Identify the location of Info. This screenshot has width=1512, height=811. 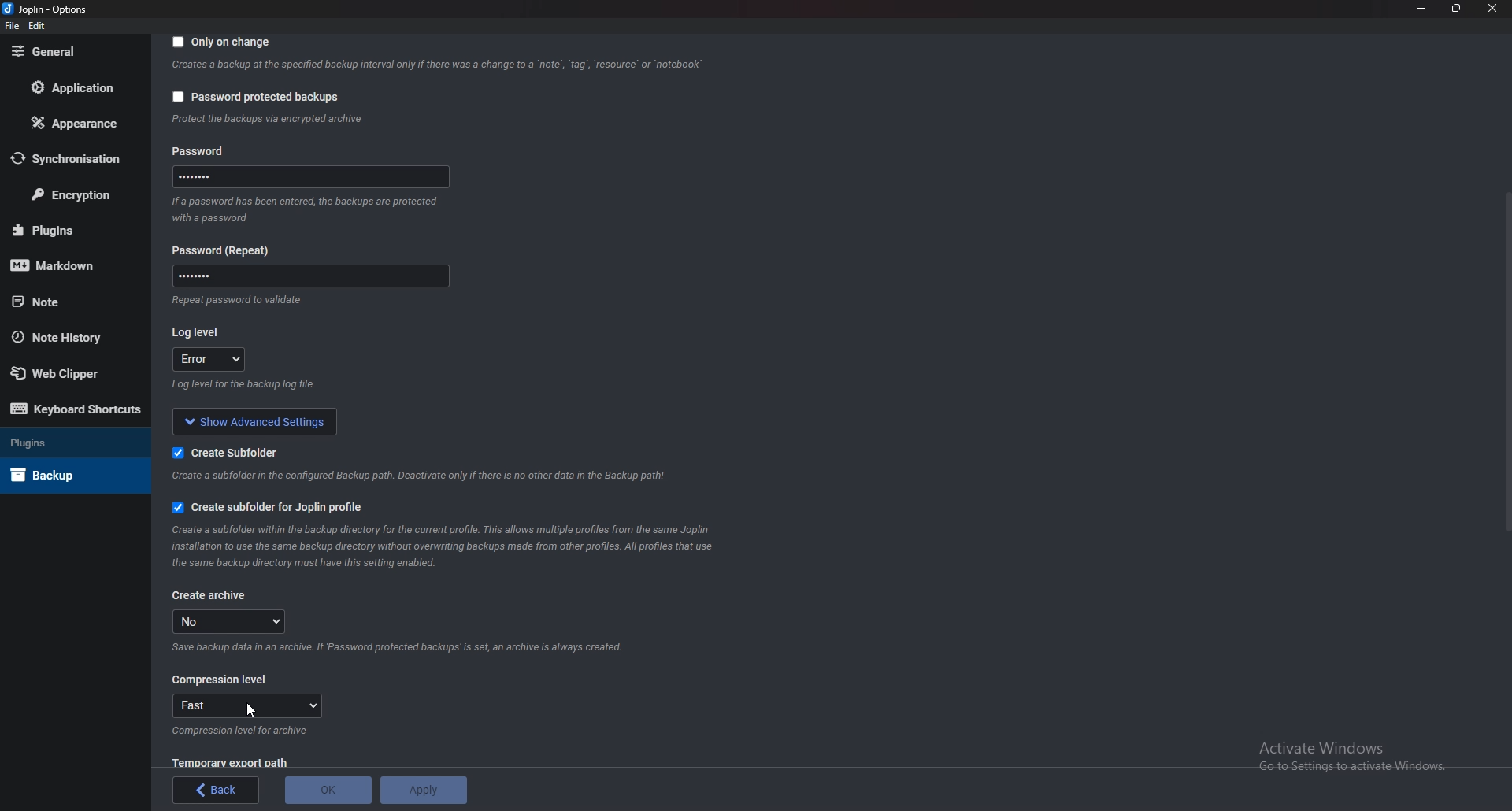
(242, 731).